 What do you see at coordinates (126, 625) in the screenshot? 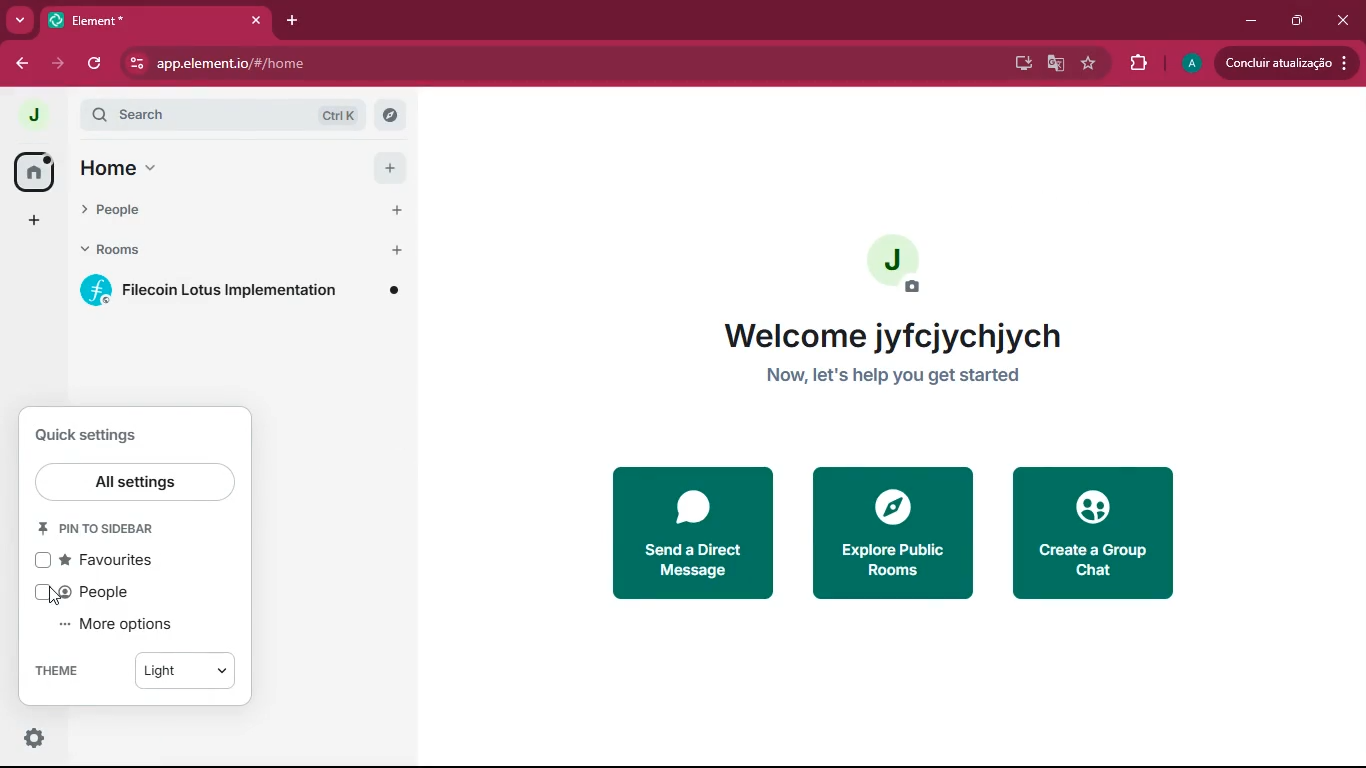
I see `more options` at bounding box center [126, 625].